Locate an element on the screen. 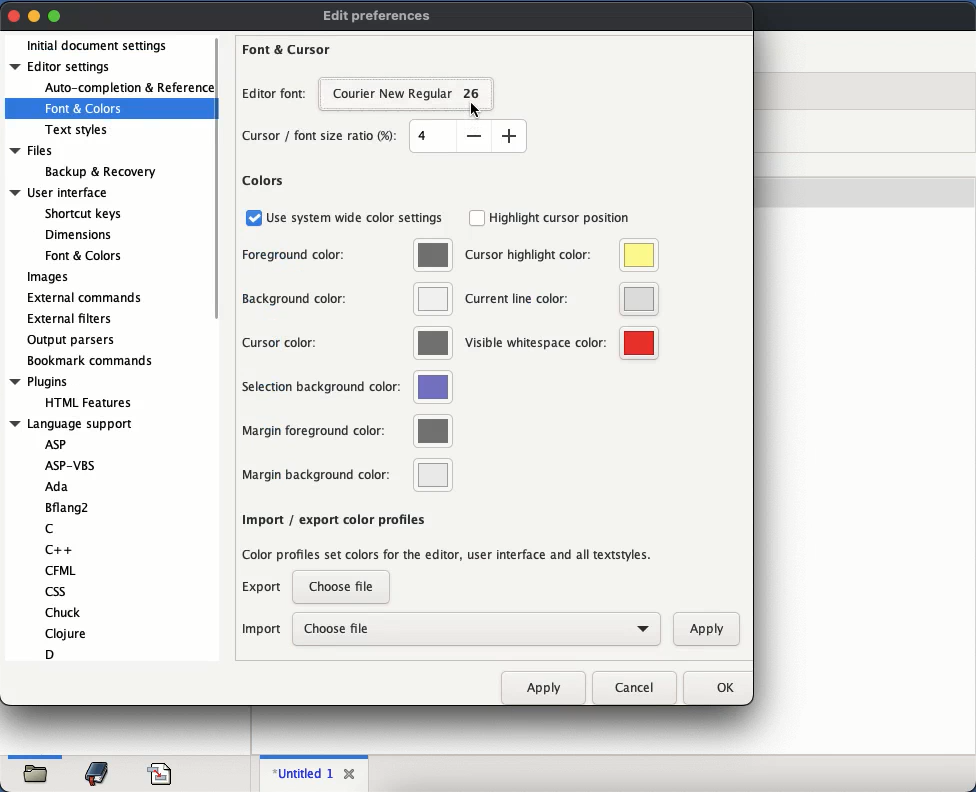 The image size is (976, 792). auto completion is located at coordinates (124, 88).